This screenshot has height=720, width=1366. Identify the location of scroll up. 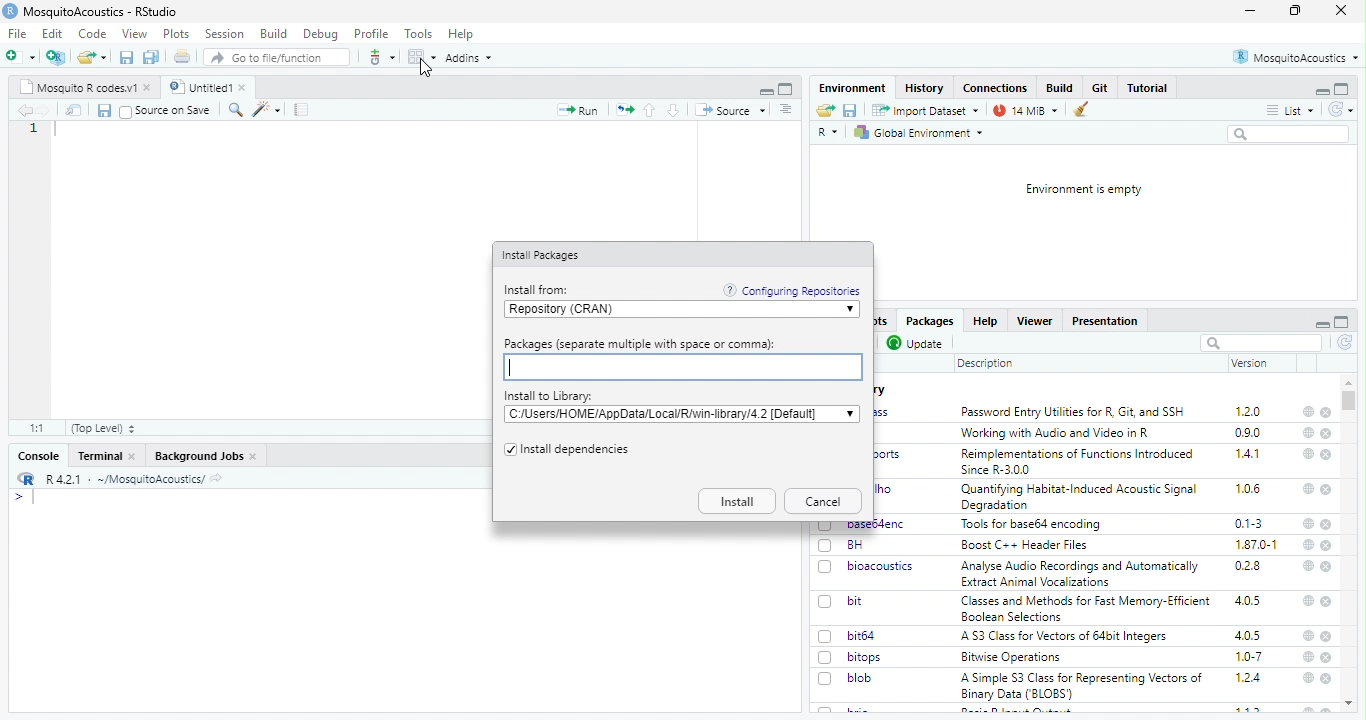
(1349, 383).